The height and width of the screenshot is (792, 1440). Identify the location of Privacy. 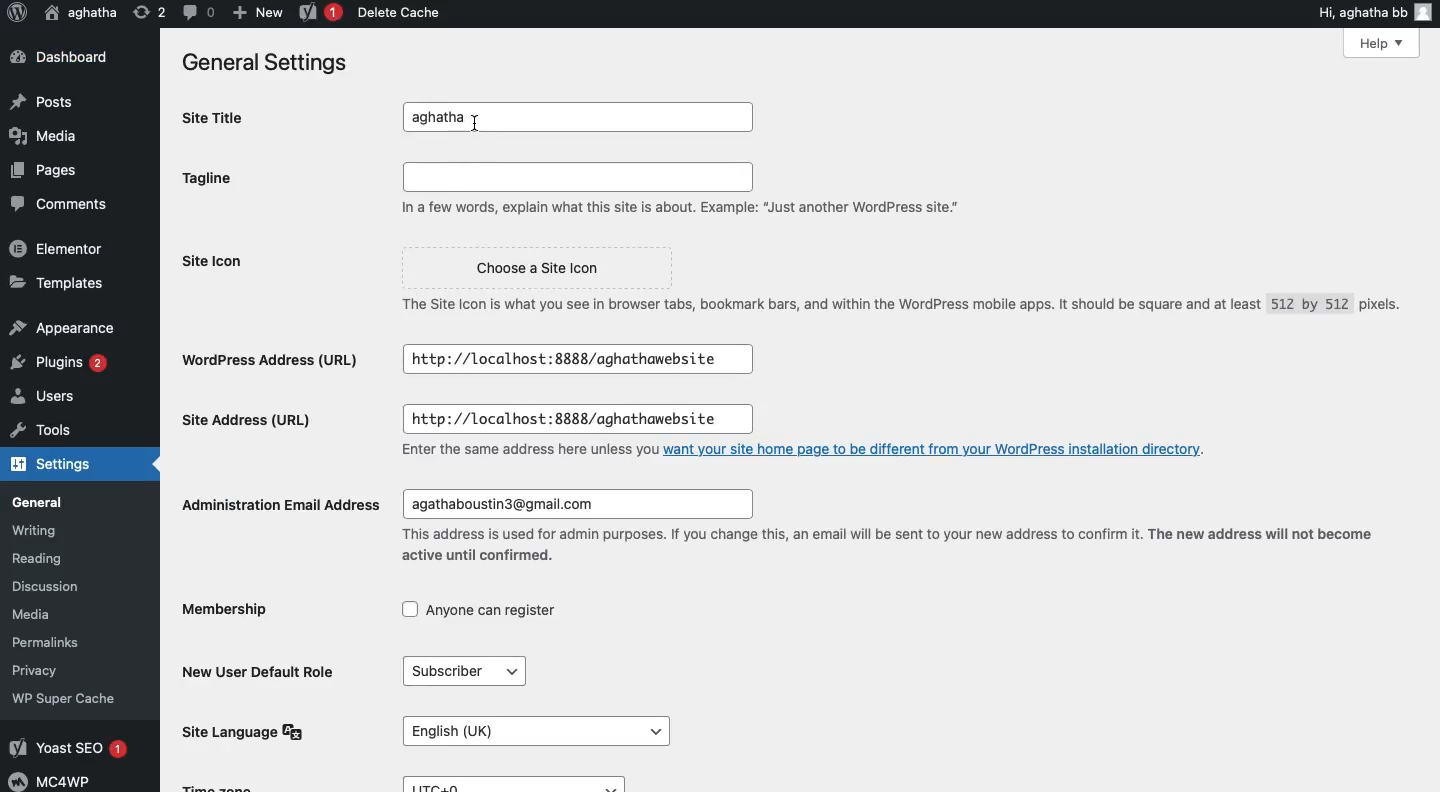
(38, 669).